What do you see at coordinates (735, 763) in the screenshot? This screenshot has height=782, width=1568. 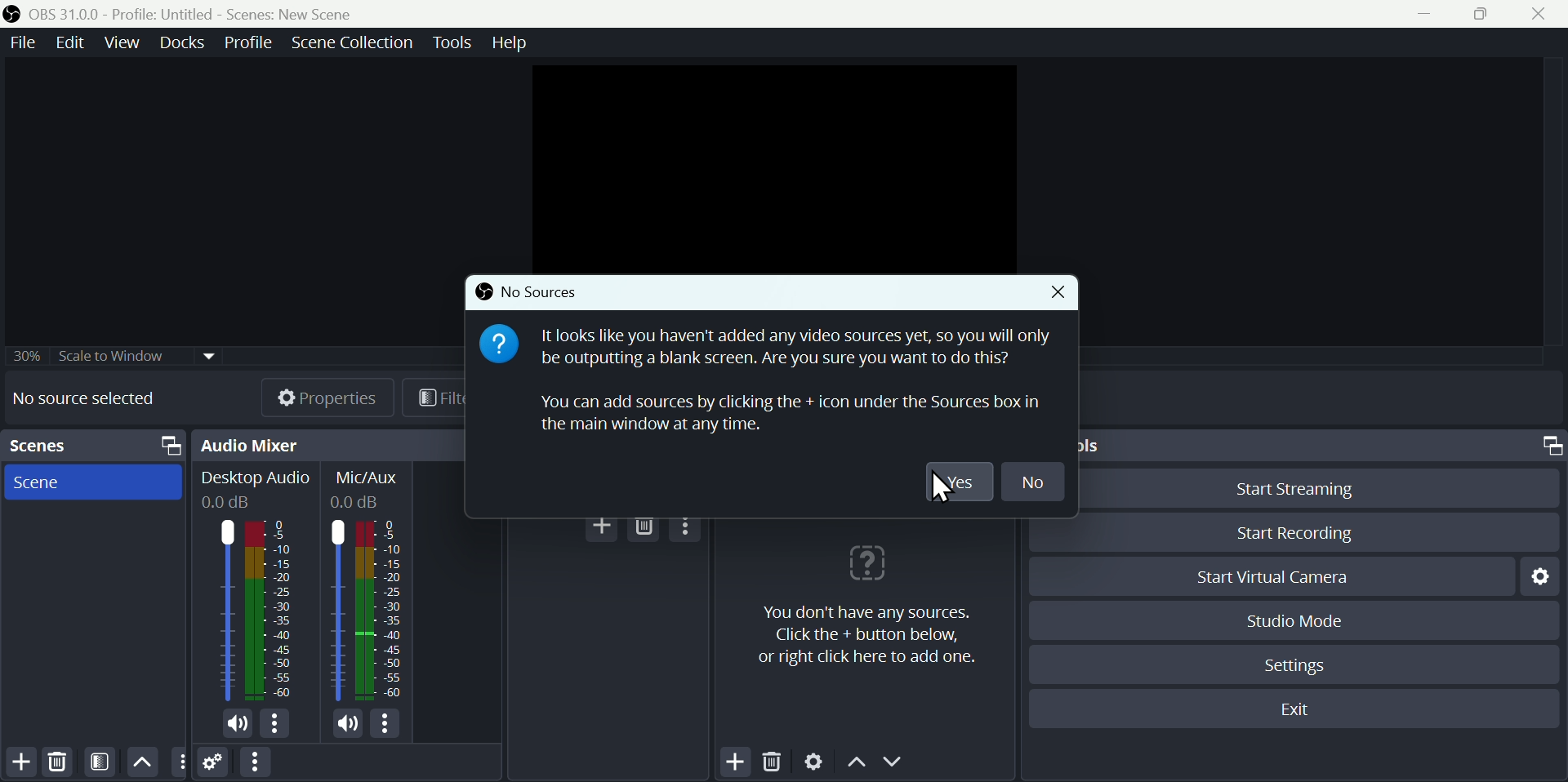 I see `Add` at bounding box center [735, 763].